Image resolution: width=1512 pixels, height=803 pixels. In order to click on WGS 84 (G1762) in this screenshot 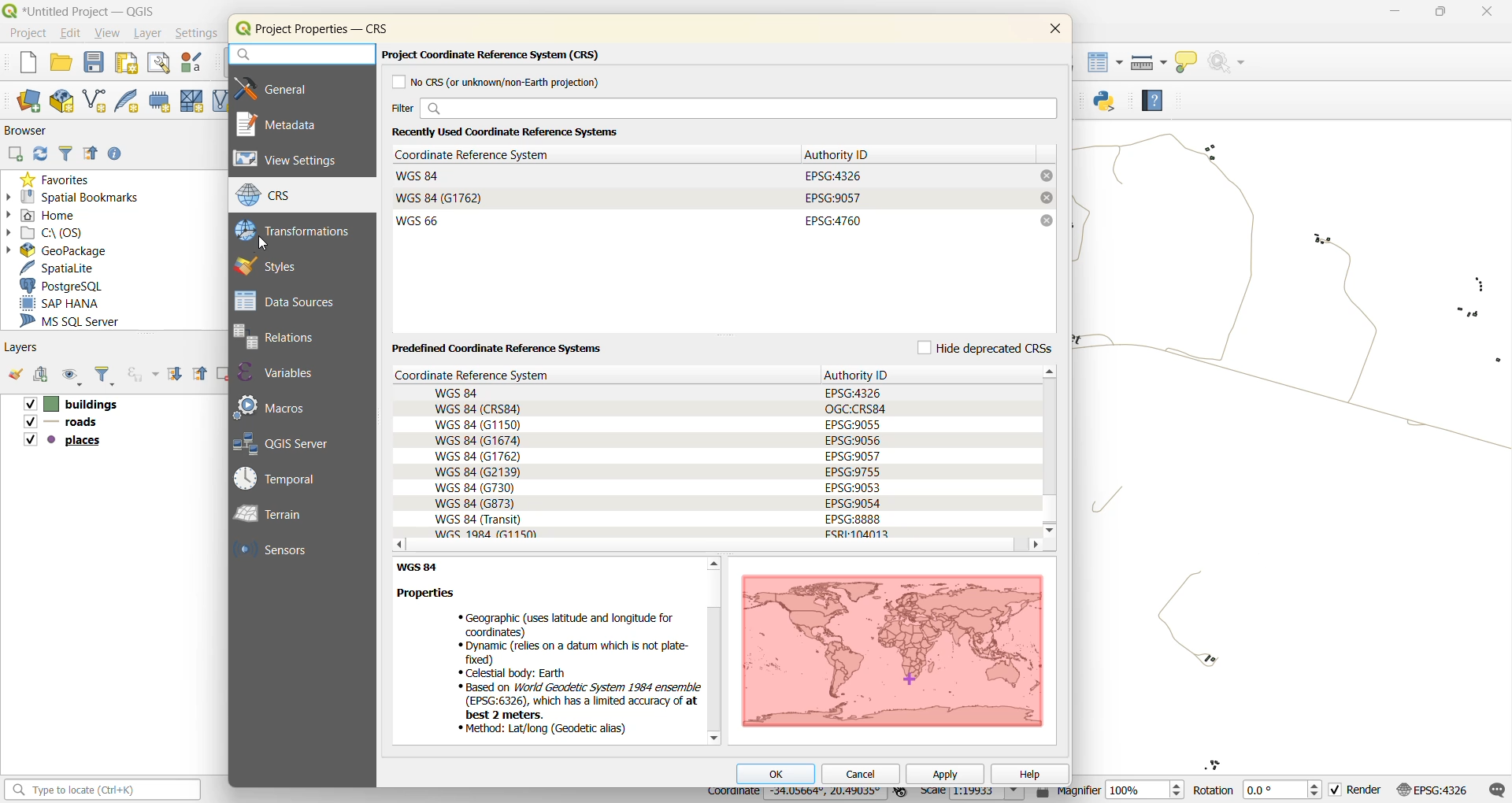, I will do `click(442, 198)`.